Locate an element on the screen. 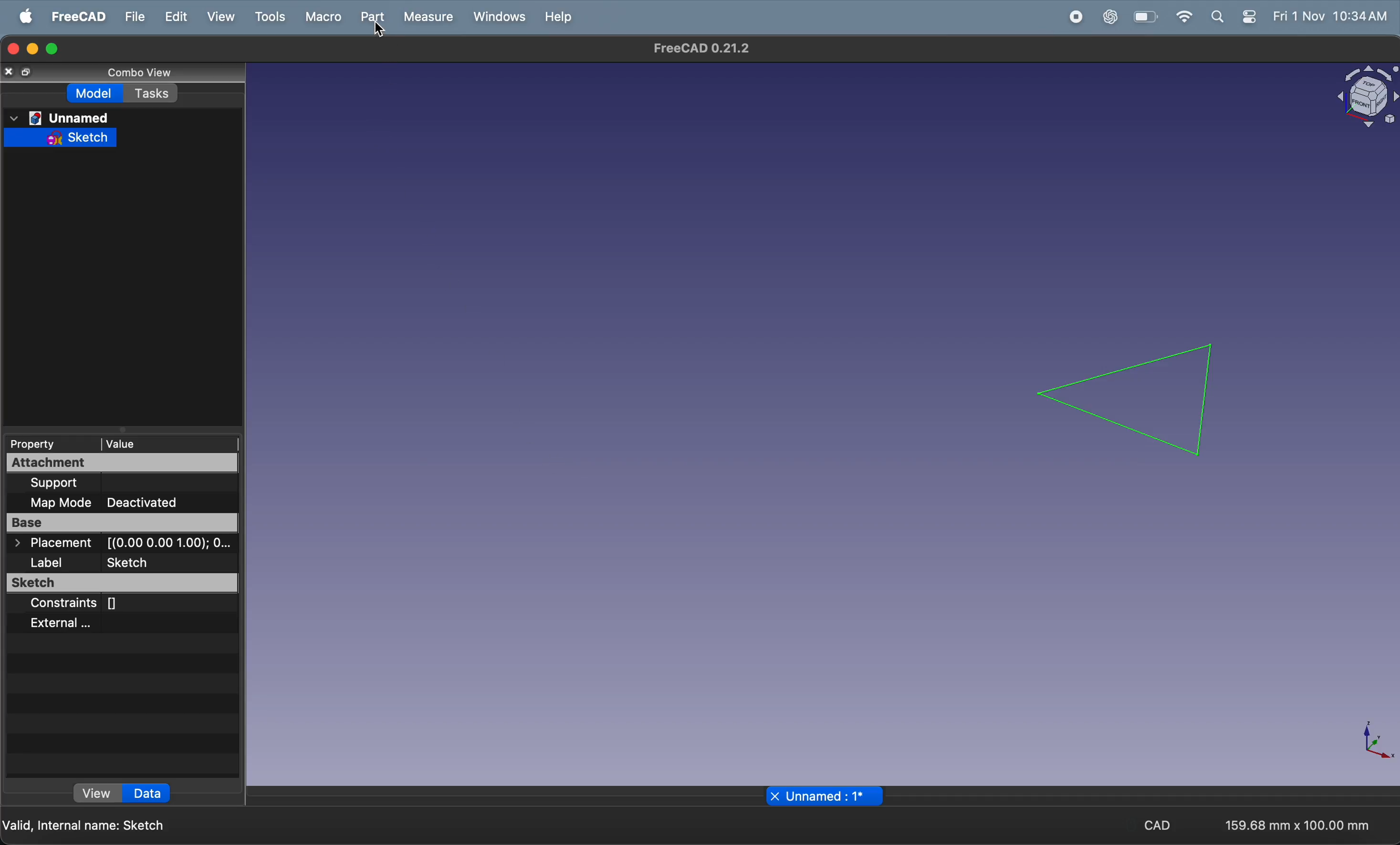  2d trainagle is located at coordinates (1130, 398).